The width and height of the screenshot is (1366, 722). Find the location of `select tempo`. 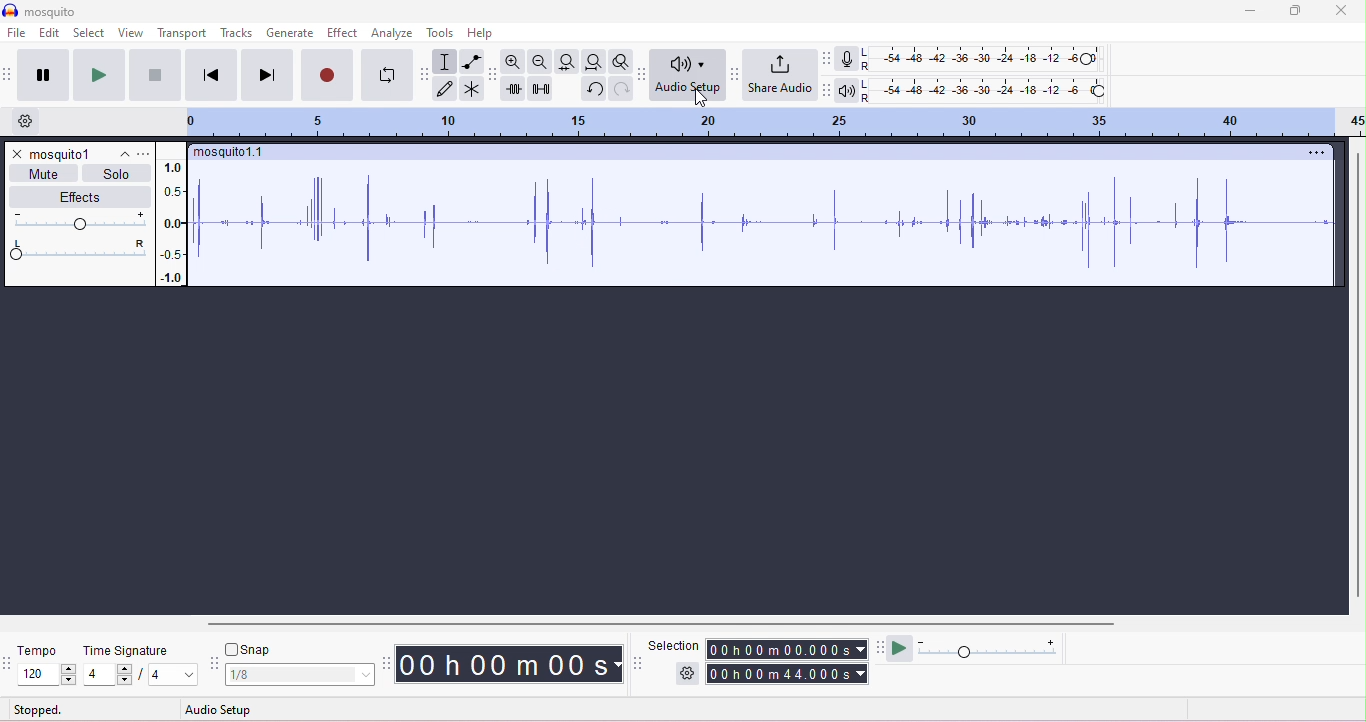

select tempo is located at coordinates (48, 675).